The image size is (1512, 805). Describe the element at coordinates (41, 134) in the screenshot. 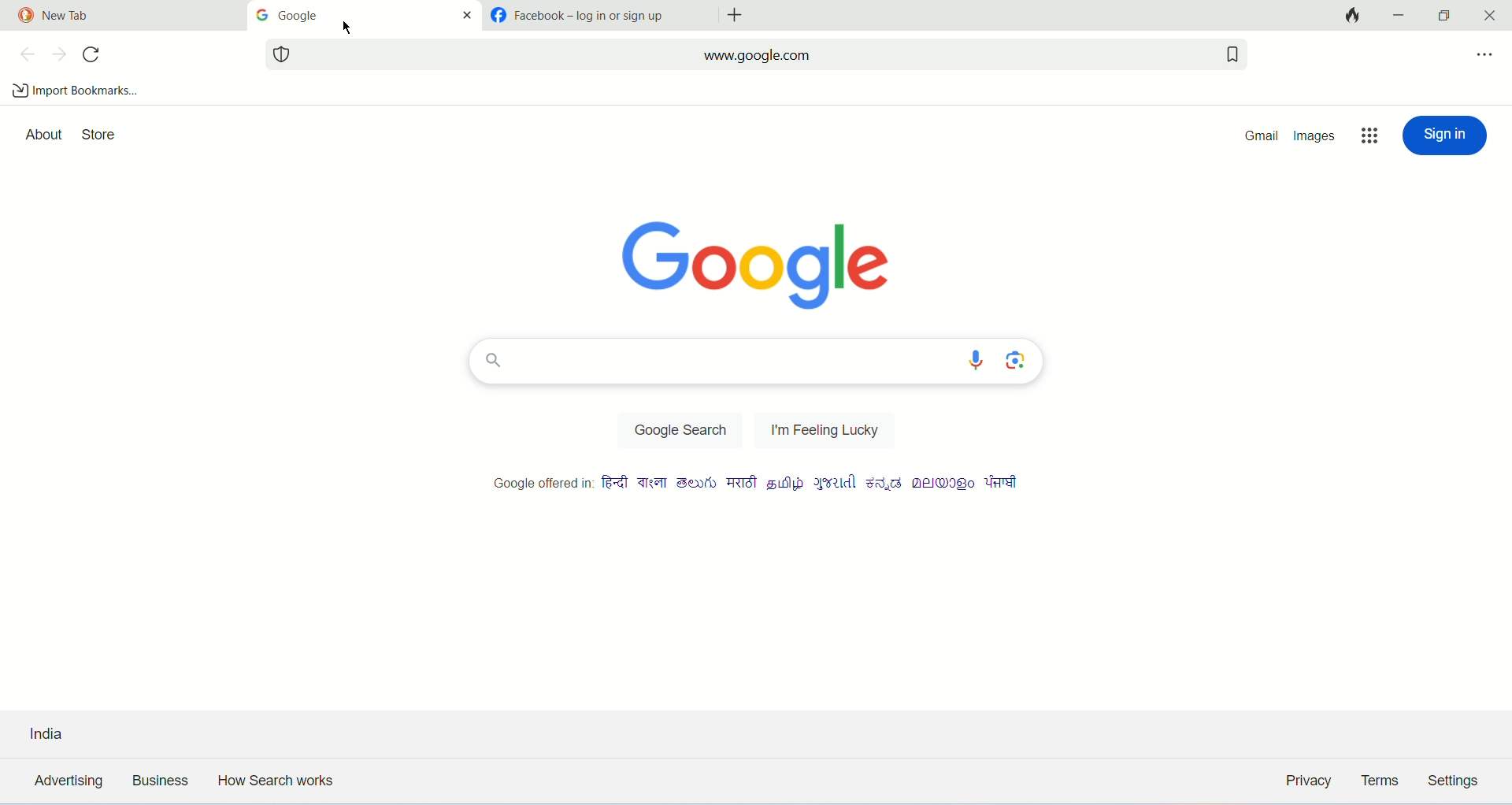

I see `about` at that location.